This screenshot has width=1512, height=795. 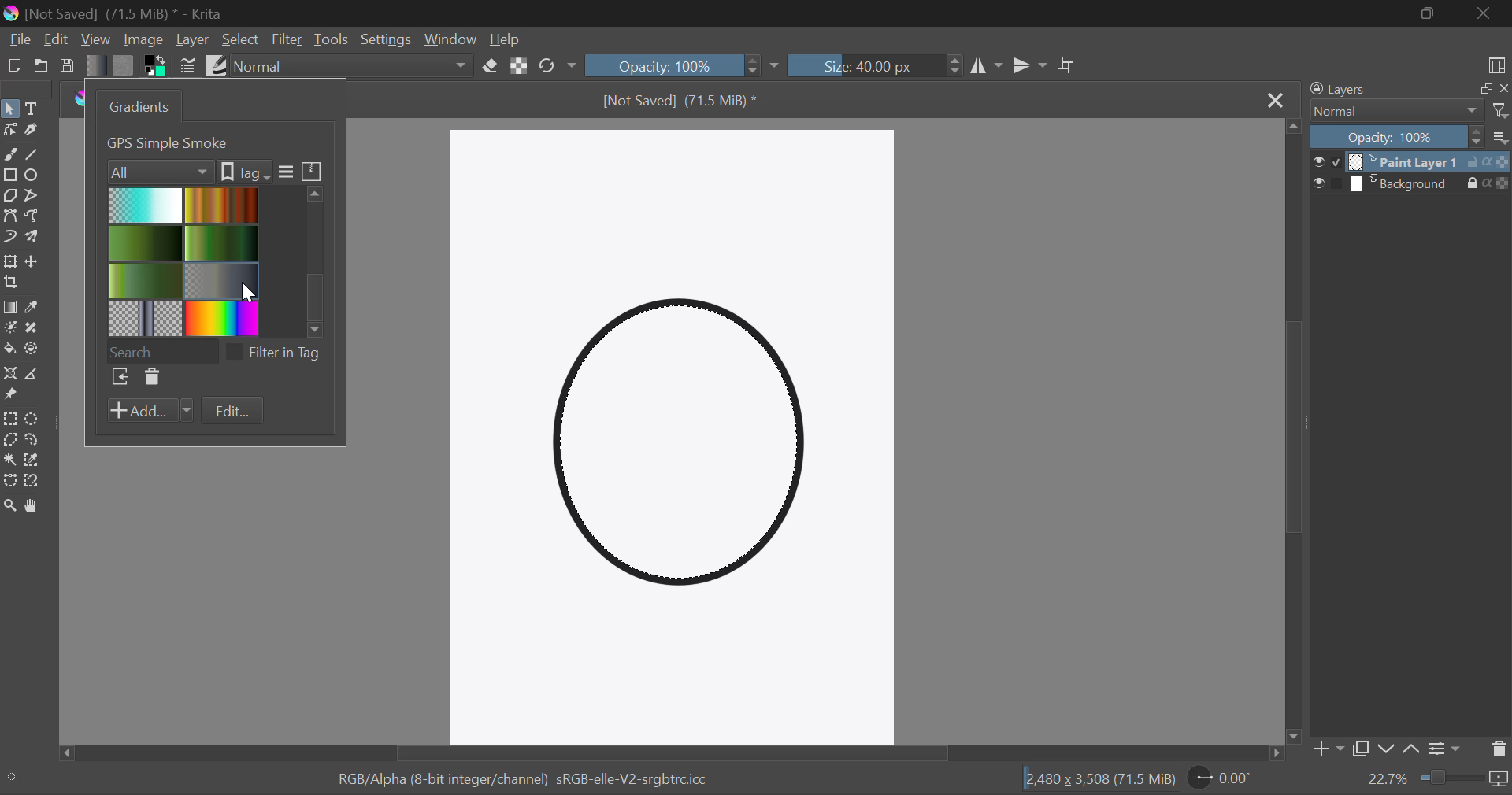 What do you see at coordinates (10, 396) in the screenshot?
I see `Reference Images` at bounding box center [10, 396].